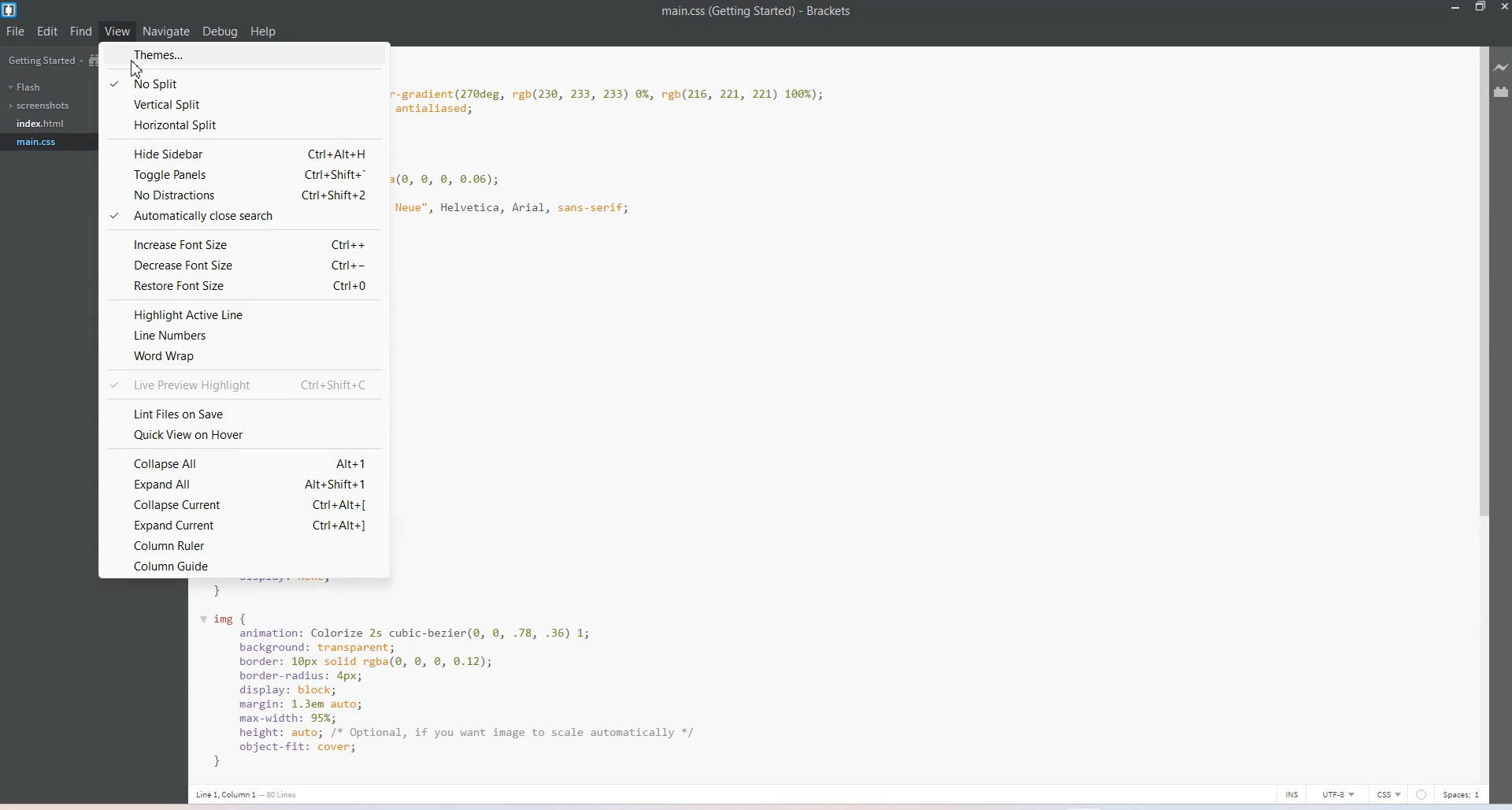 This screenshot has width=1512, height=810. I want to click on restore Font Size, so click(241, 286).